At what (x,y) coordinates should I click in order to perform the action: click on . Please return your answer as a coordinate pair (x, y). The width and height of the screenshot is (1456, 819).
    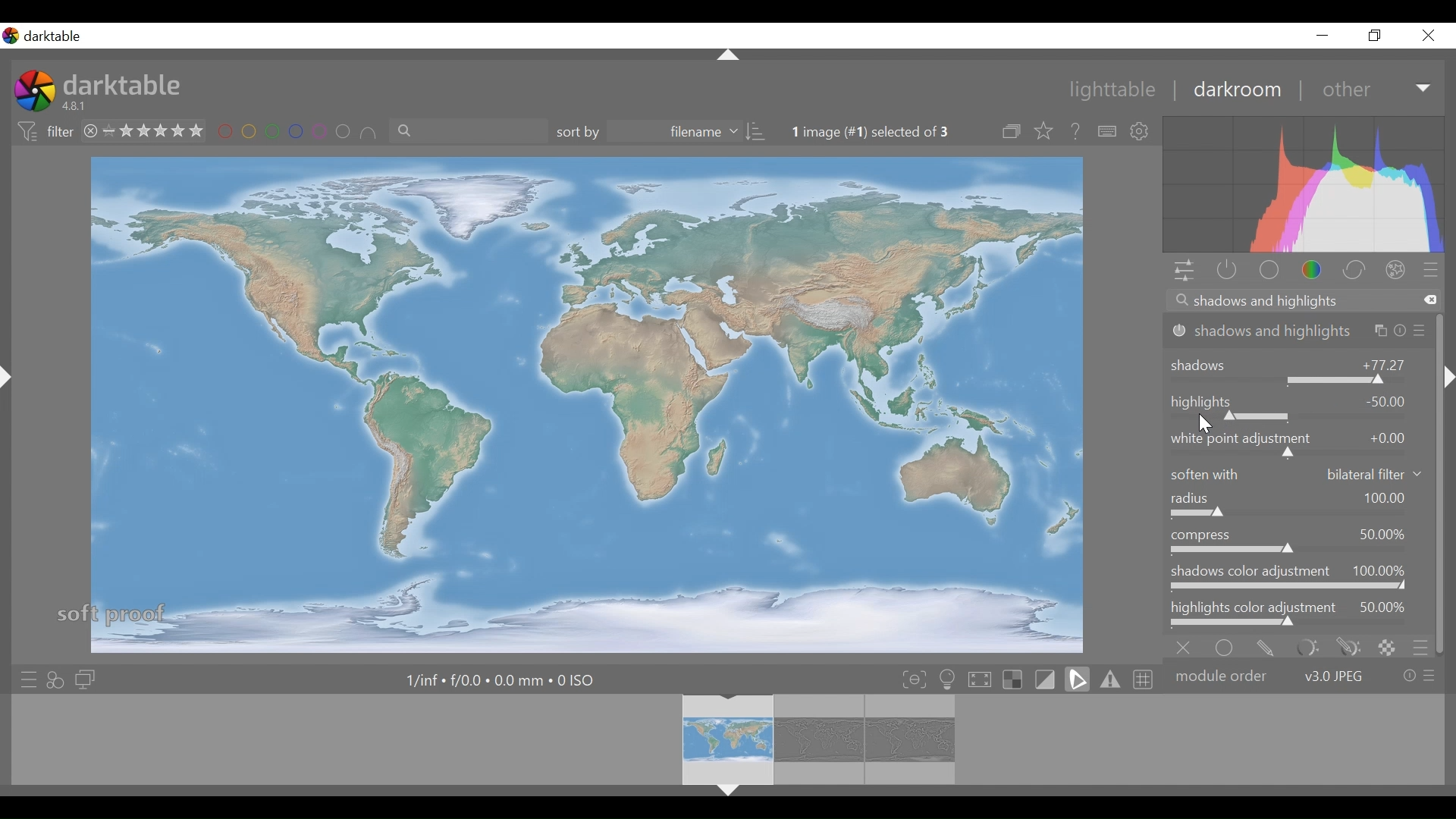
    Looking at the image, I should click on (1298, 444).